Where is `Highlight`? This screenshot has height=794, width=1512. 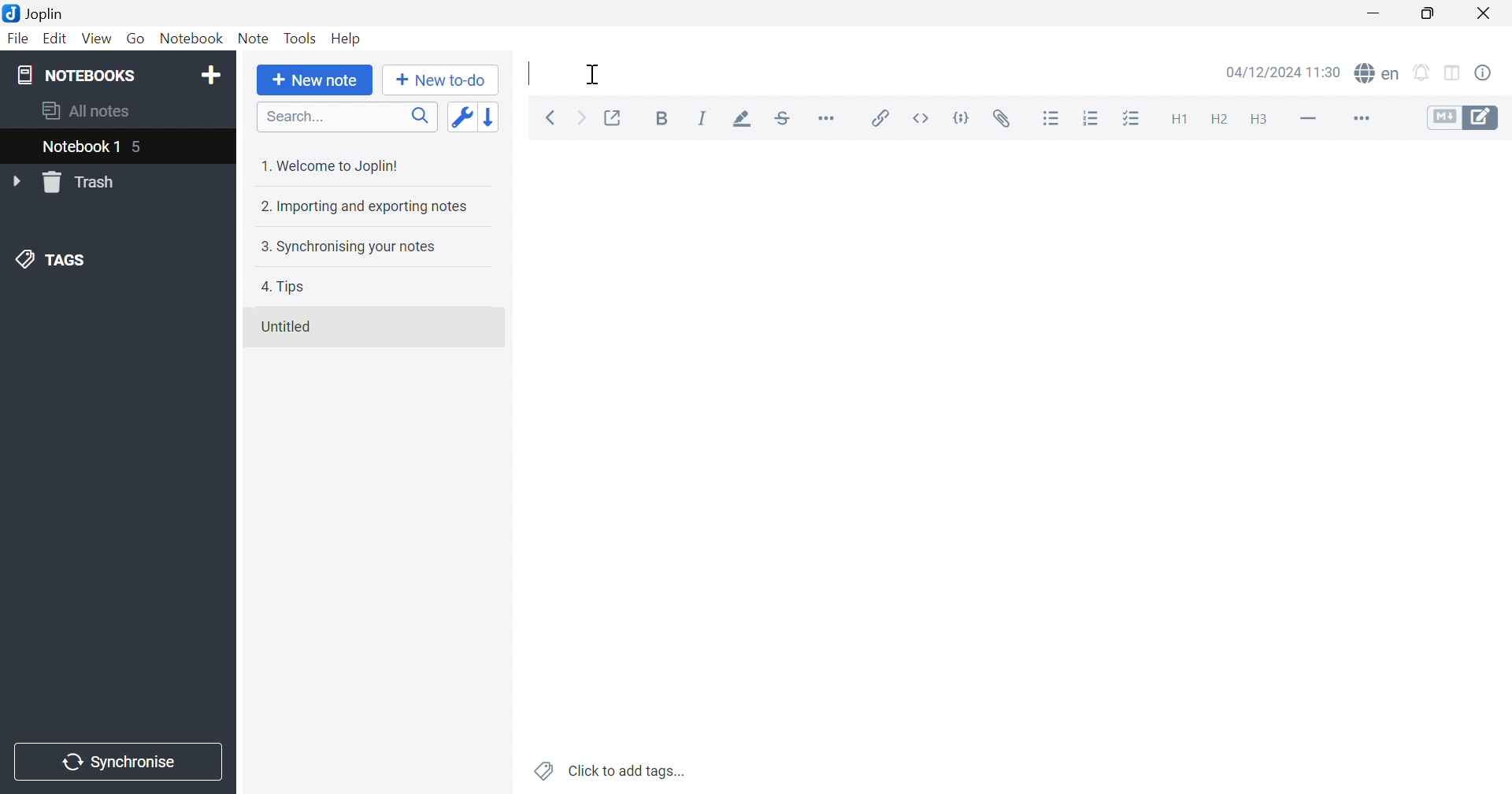 Highlight is located at coordinates (746, 119).